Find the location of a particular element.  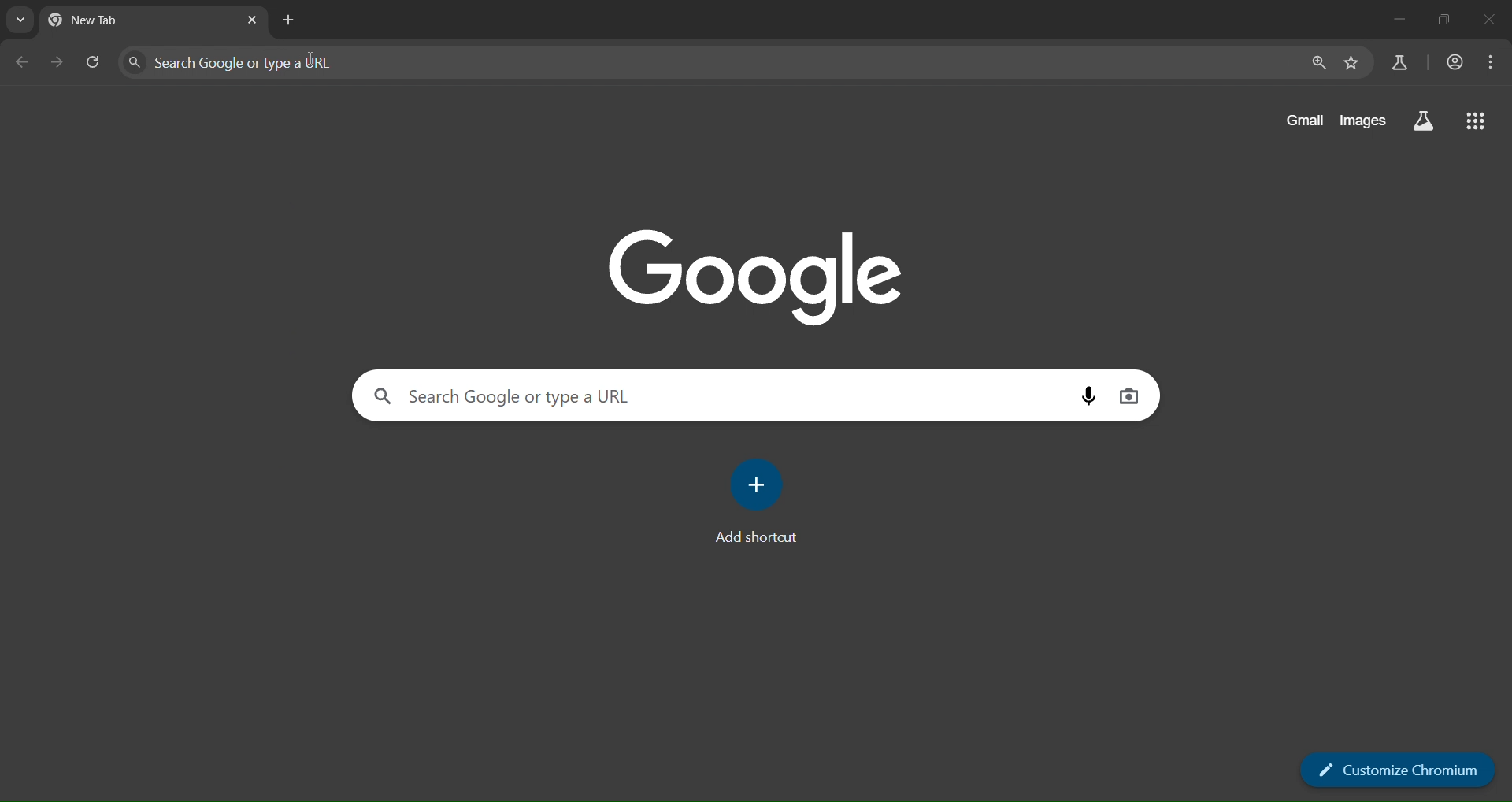

reload page is located at coordinates (91, 62).